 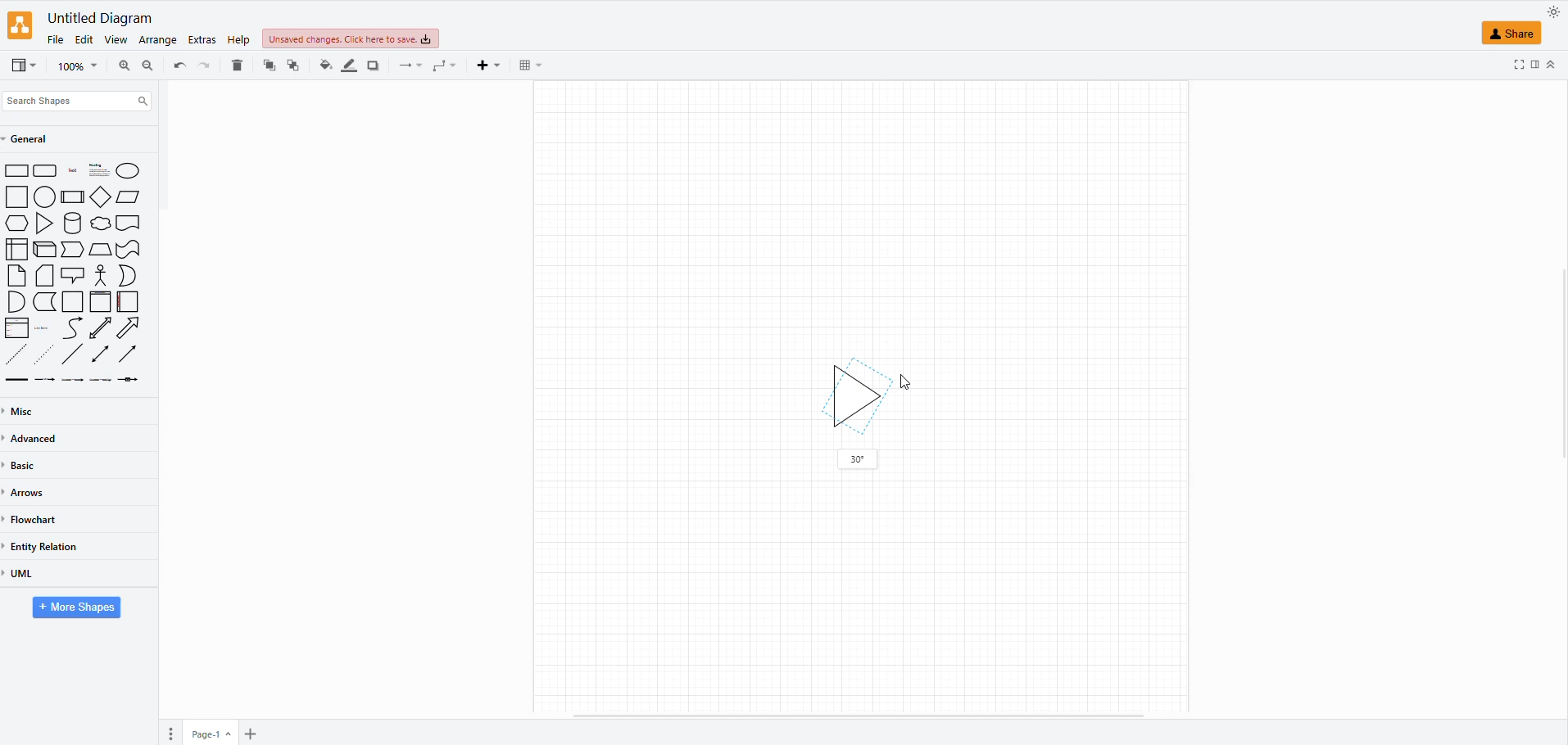 I want to click on zoom in , so click(x=145, y=68).